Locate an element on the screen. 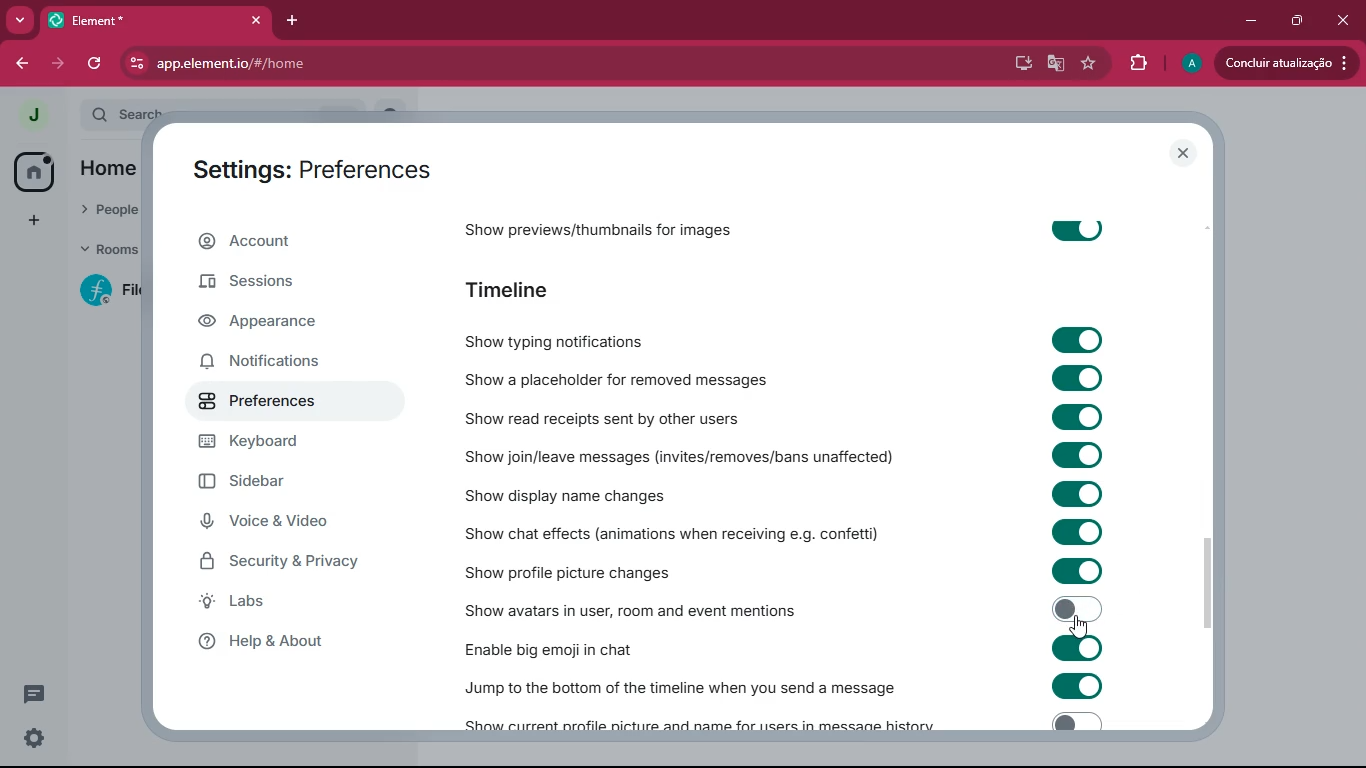 This screenshot has height=768, width=1366. settings: preferences is located at coordinates (304, 166).